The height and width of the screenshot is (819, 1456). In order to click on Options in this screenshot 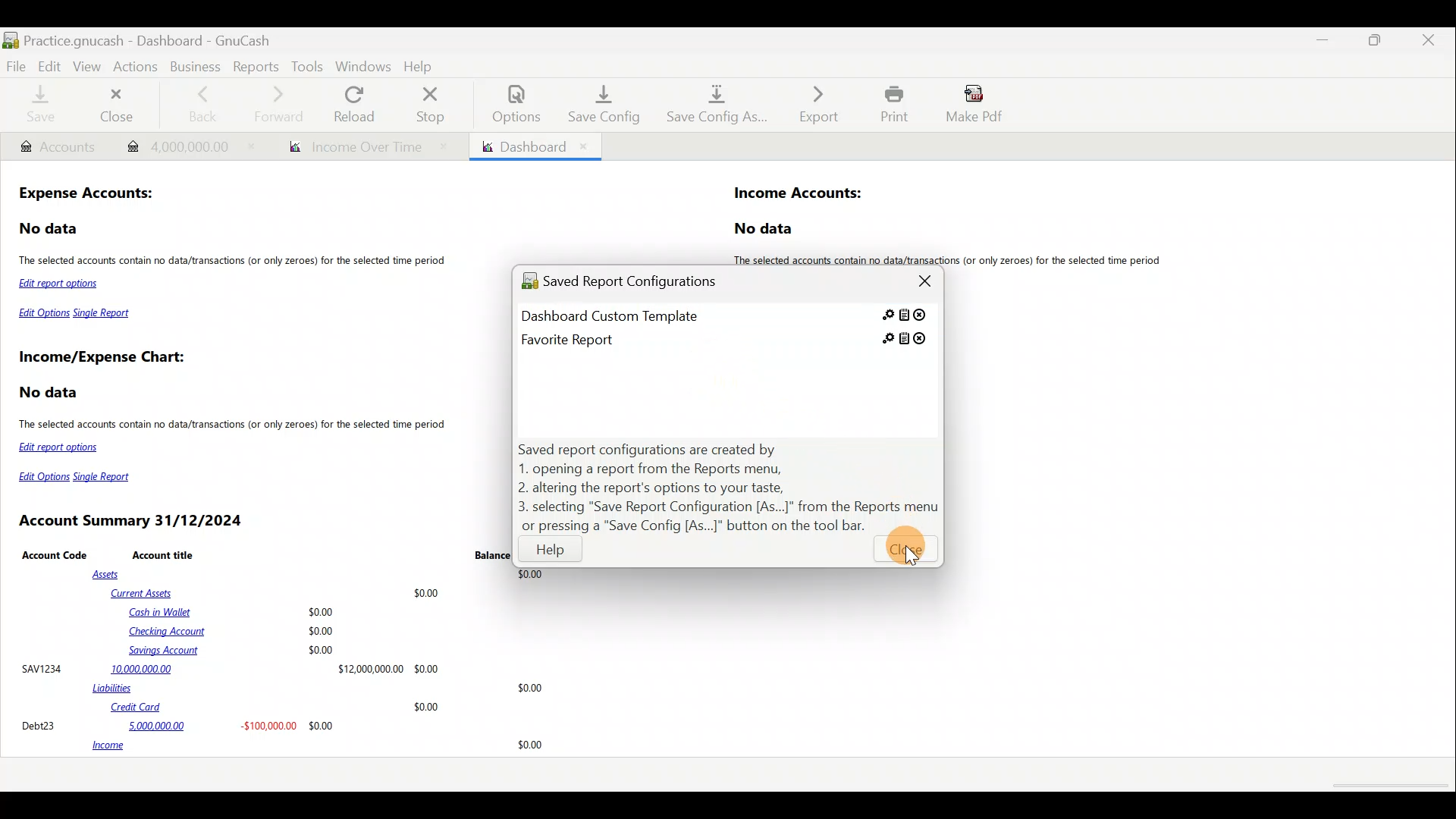, I will do `click(509, 104)`.